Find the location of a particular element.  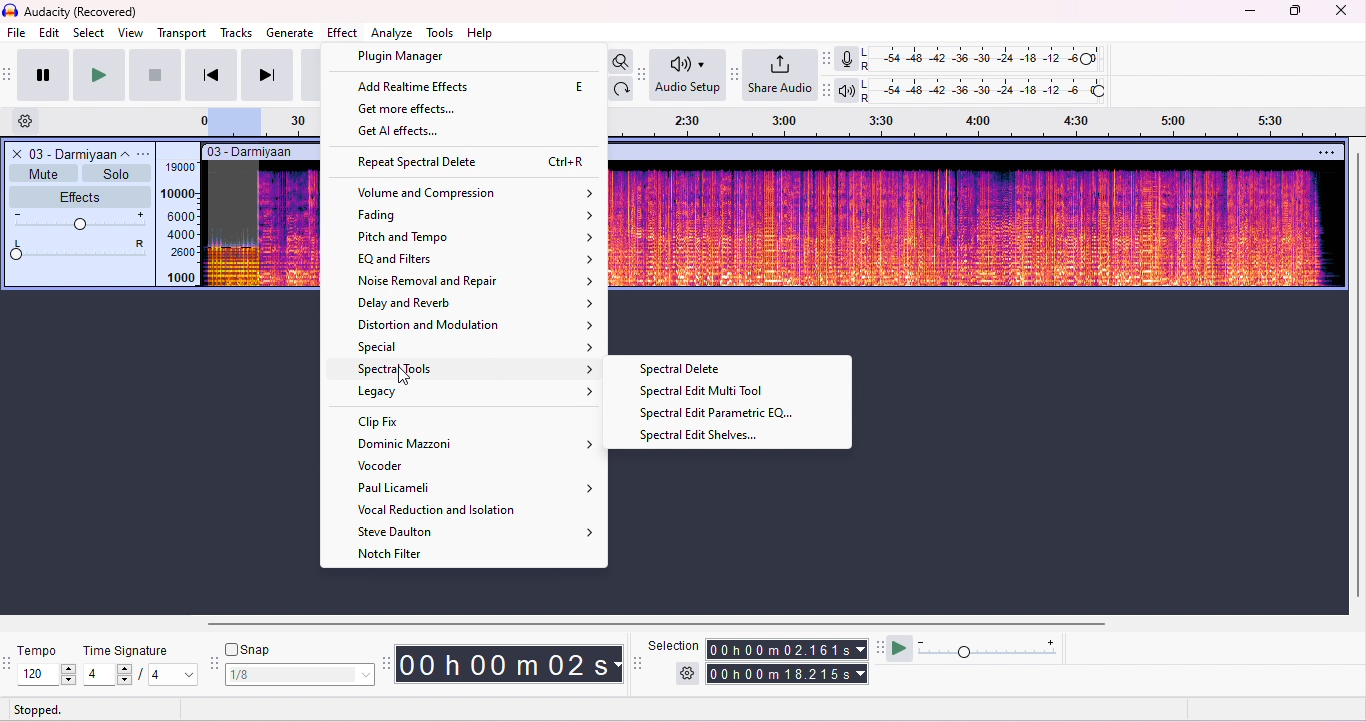

settings is located at coordinates (31, 122).